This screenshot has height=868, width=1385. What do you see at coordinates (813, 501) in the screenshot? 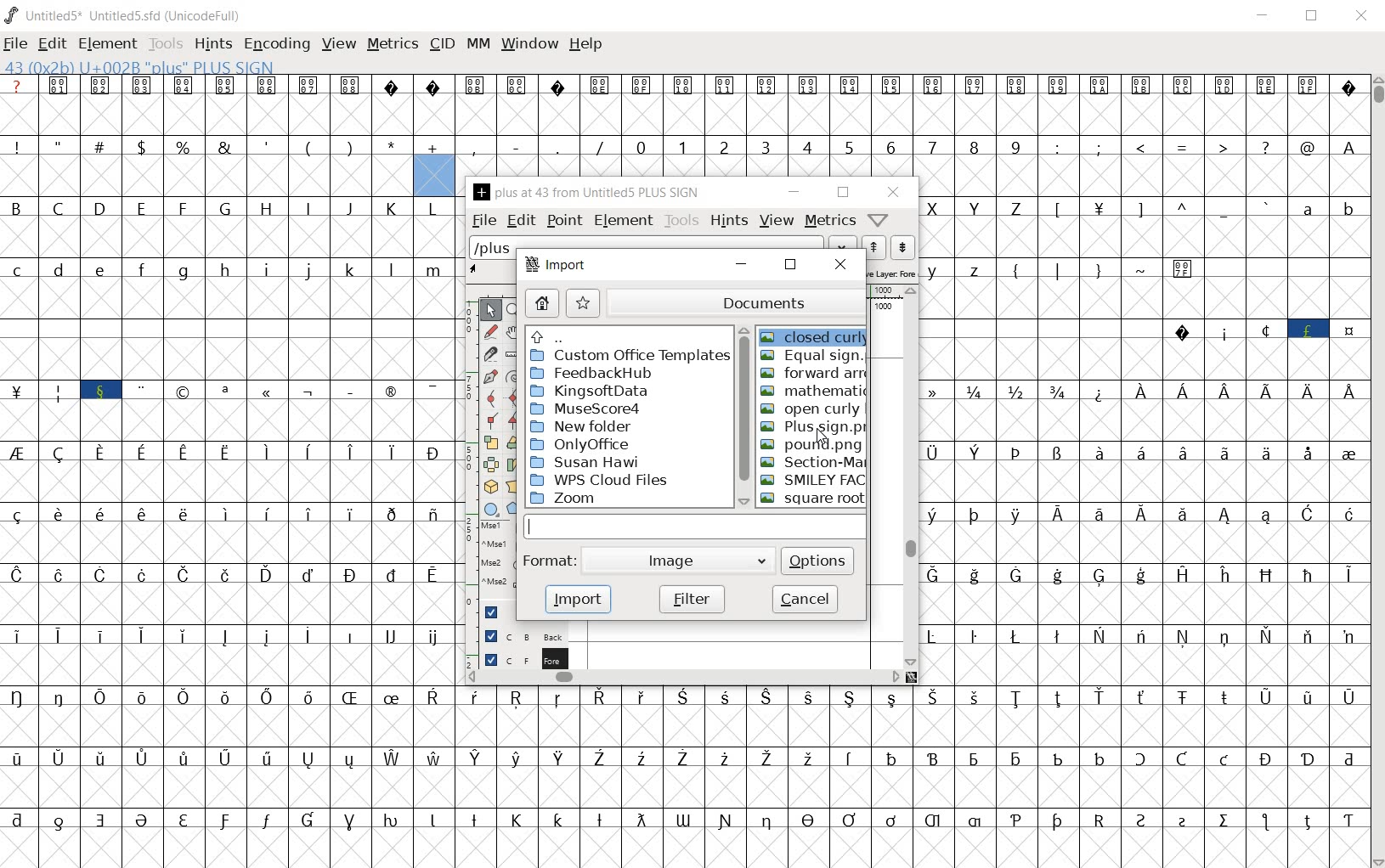
I see `SQUARE ROOT` at bounding box center [813, 501].